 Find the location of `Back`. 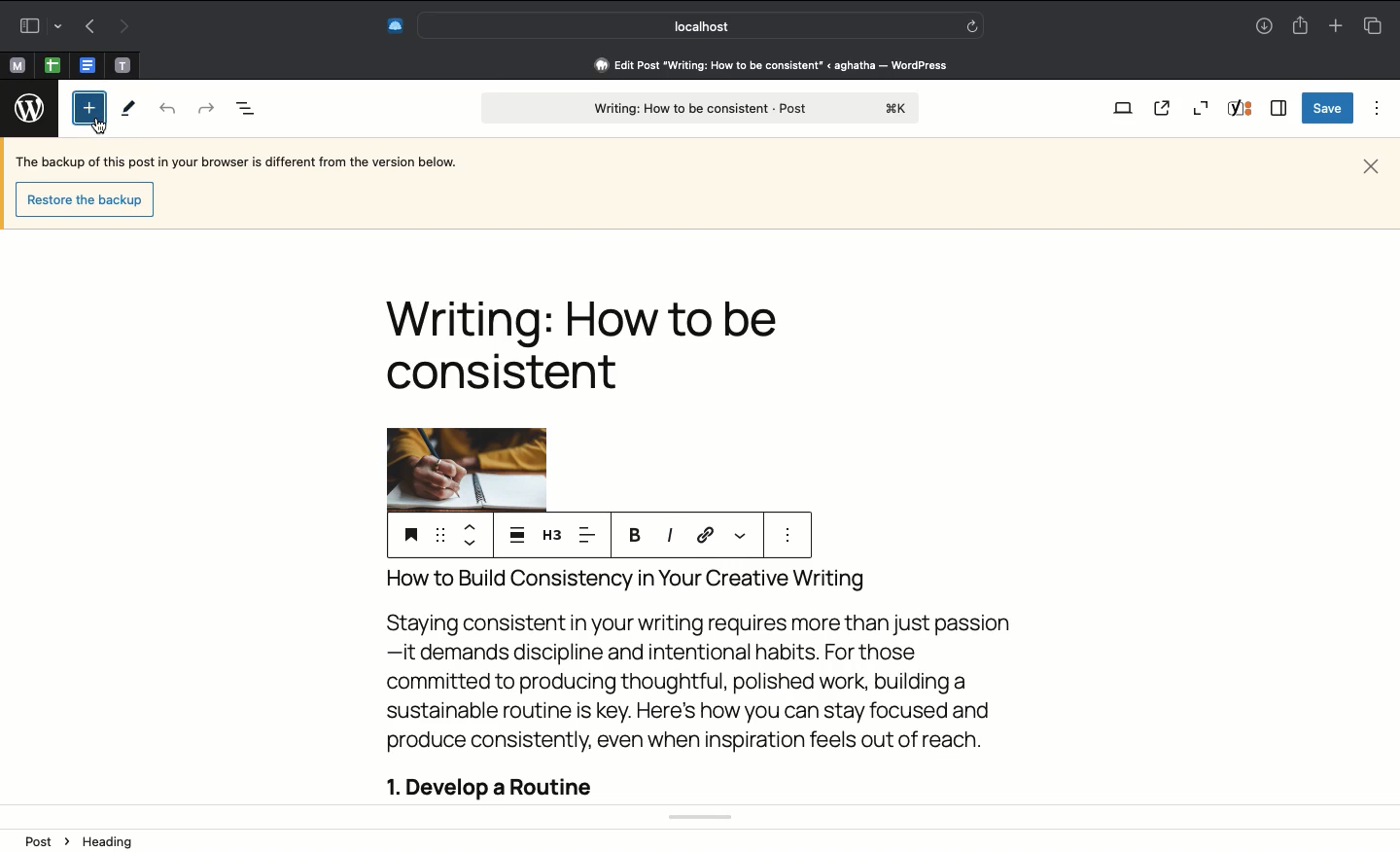

Back is located at coordinates (165, 110).